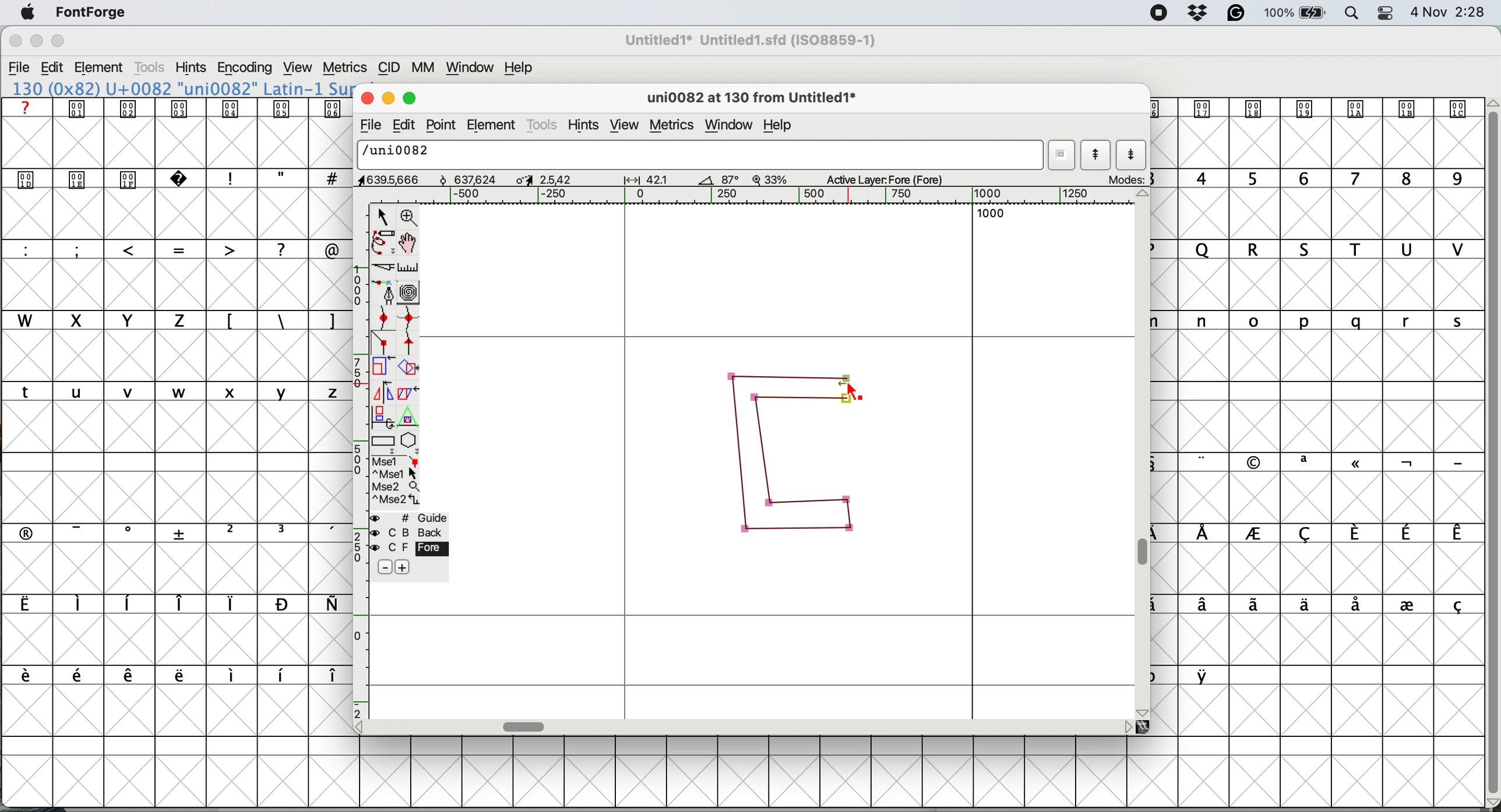 The image size is (1501, 812). What do you see at coordinates (177, 249) in the screenshot?
I see `special characters` at bounding box center [177, 249].